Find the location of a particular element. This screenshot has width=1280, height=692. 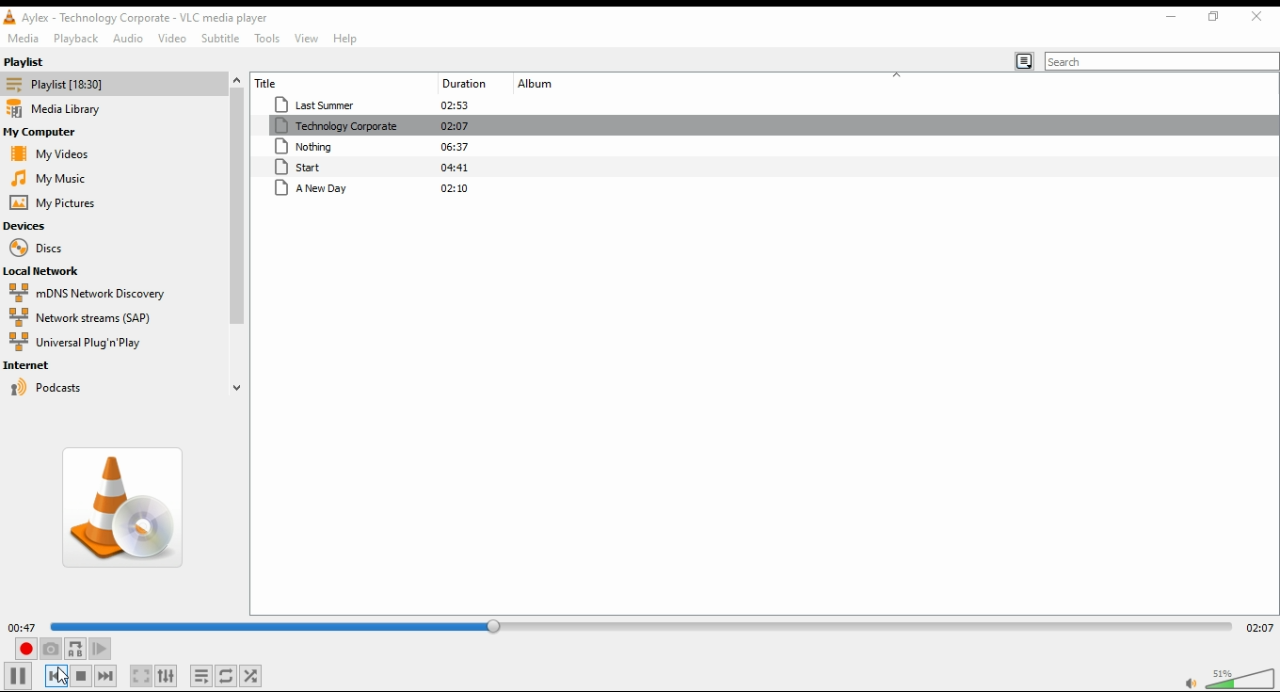

frame by frame is located at coordinates (100, 649).